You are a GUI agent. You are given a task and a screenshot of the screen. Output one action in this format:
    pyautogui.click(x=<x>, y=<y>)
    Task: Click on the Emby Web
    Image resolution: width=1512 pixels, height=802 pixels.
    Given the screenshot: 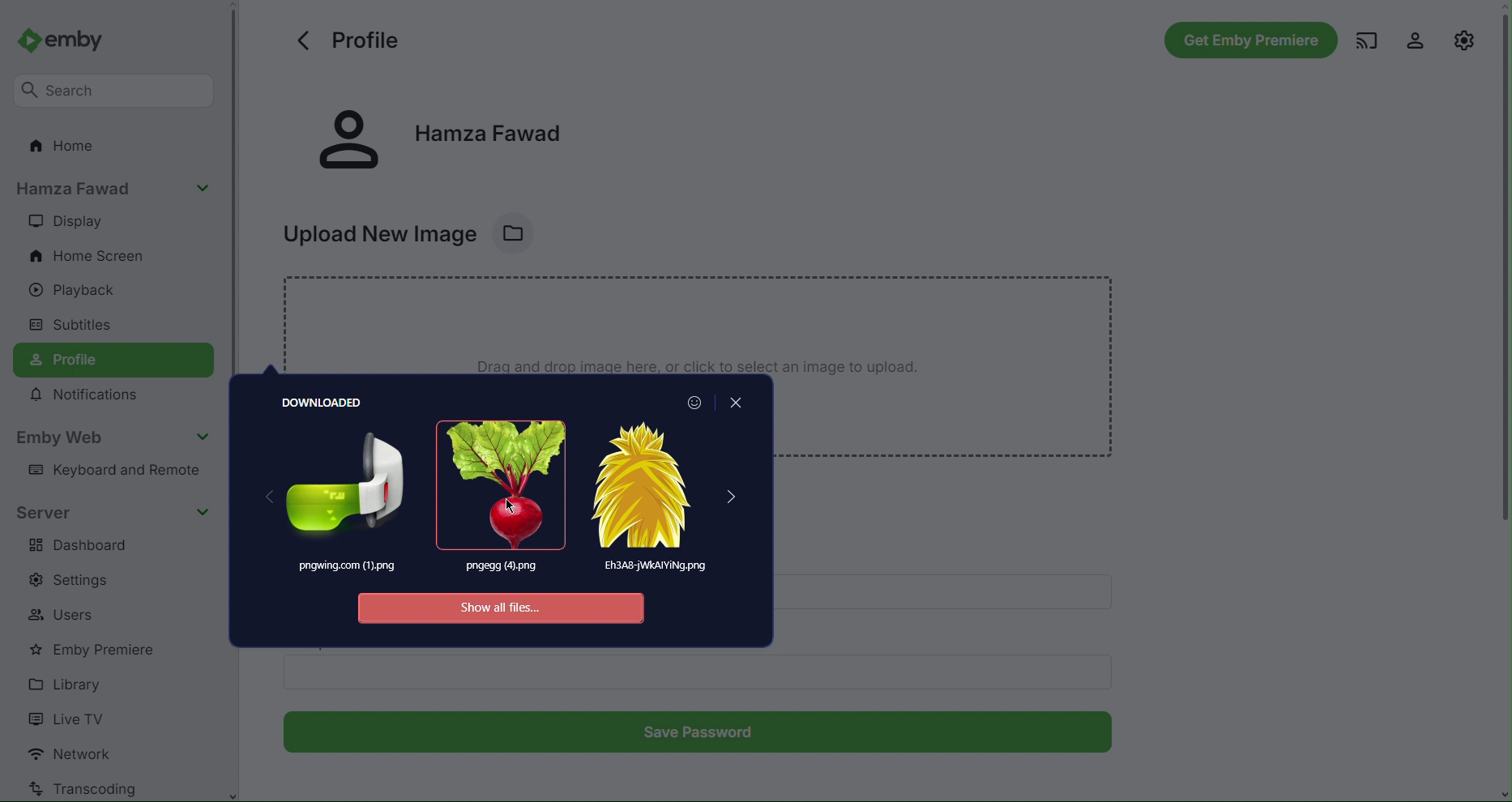 What is the action you would take?
    pyautogui.click(x=115, y=437)
    